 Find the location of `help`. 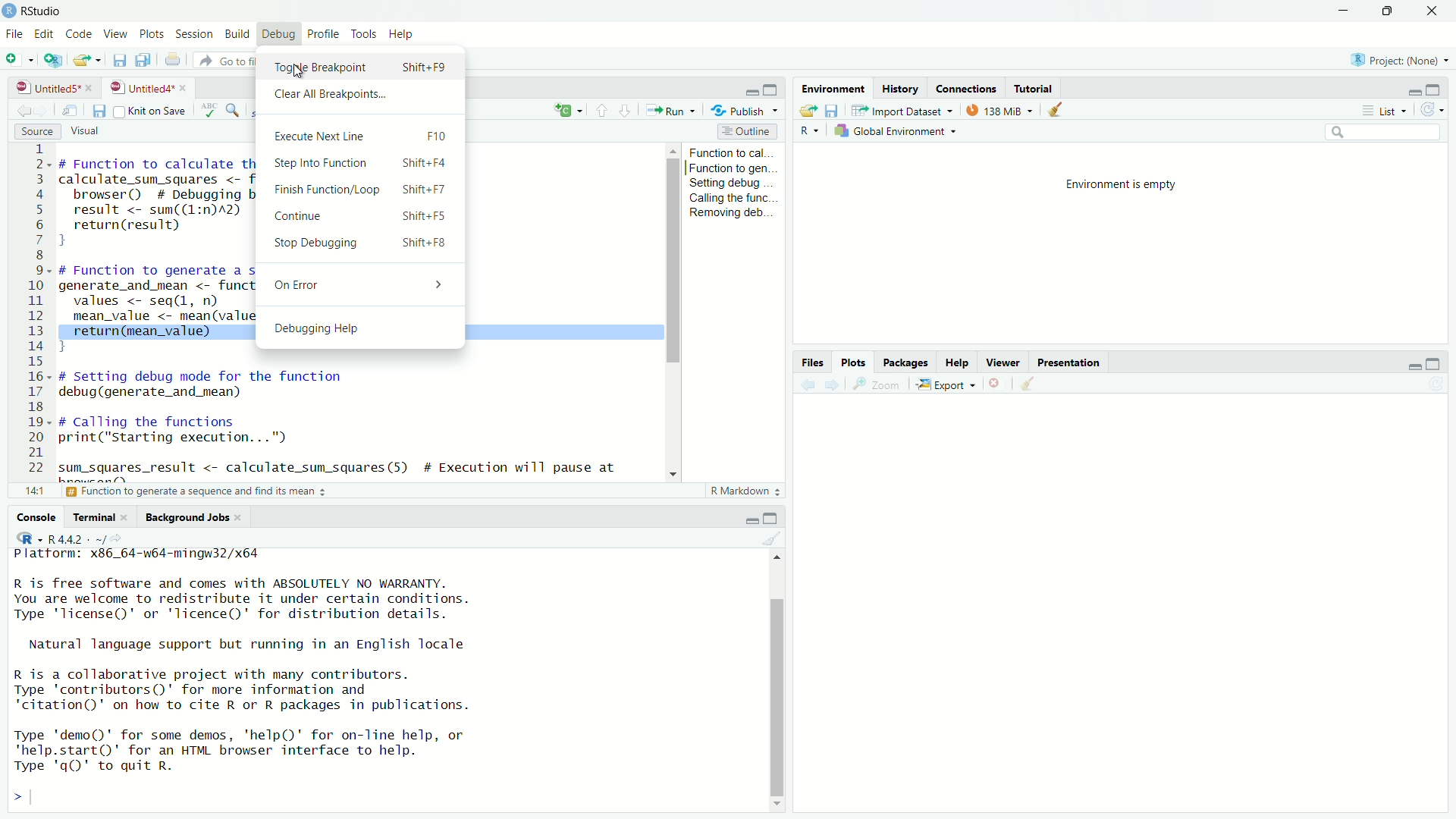

help is located at coordinates (403, 33).